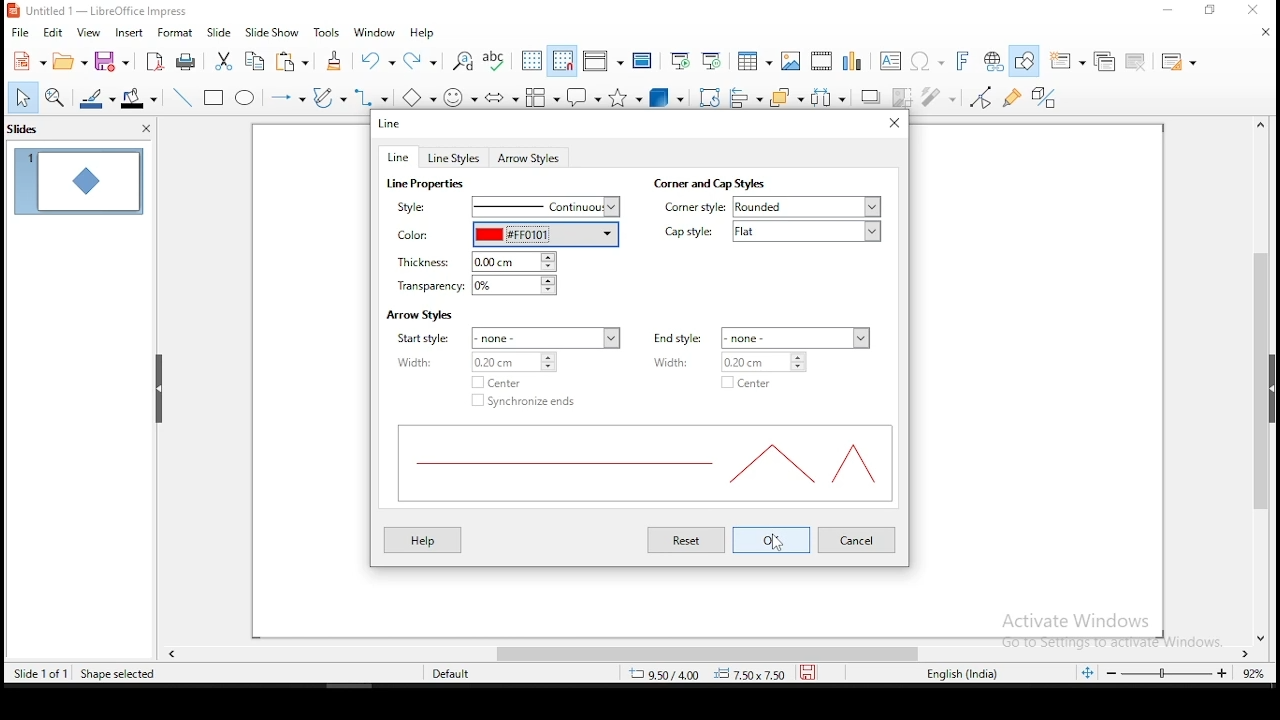  What do you see at coordinates (99, 11) in the screenshot?
I see `icon and filename` at bounding box center [99, 11].